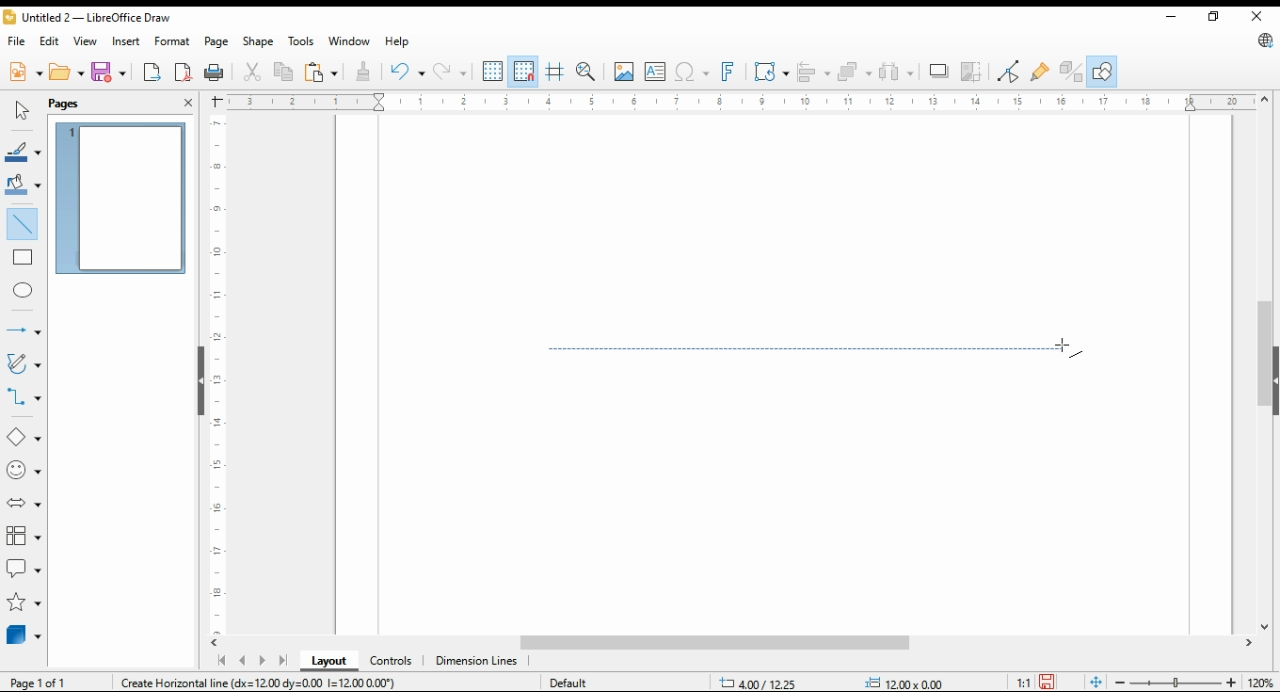 This screenshot has width=1280, height=692. Describe the element at coordinates (25, 436) in the screenshot. I see `simple shapes` at that location.